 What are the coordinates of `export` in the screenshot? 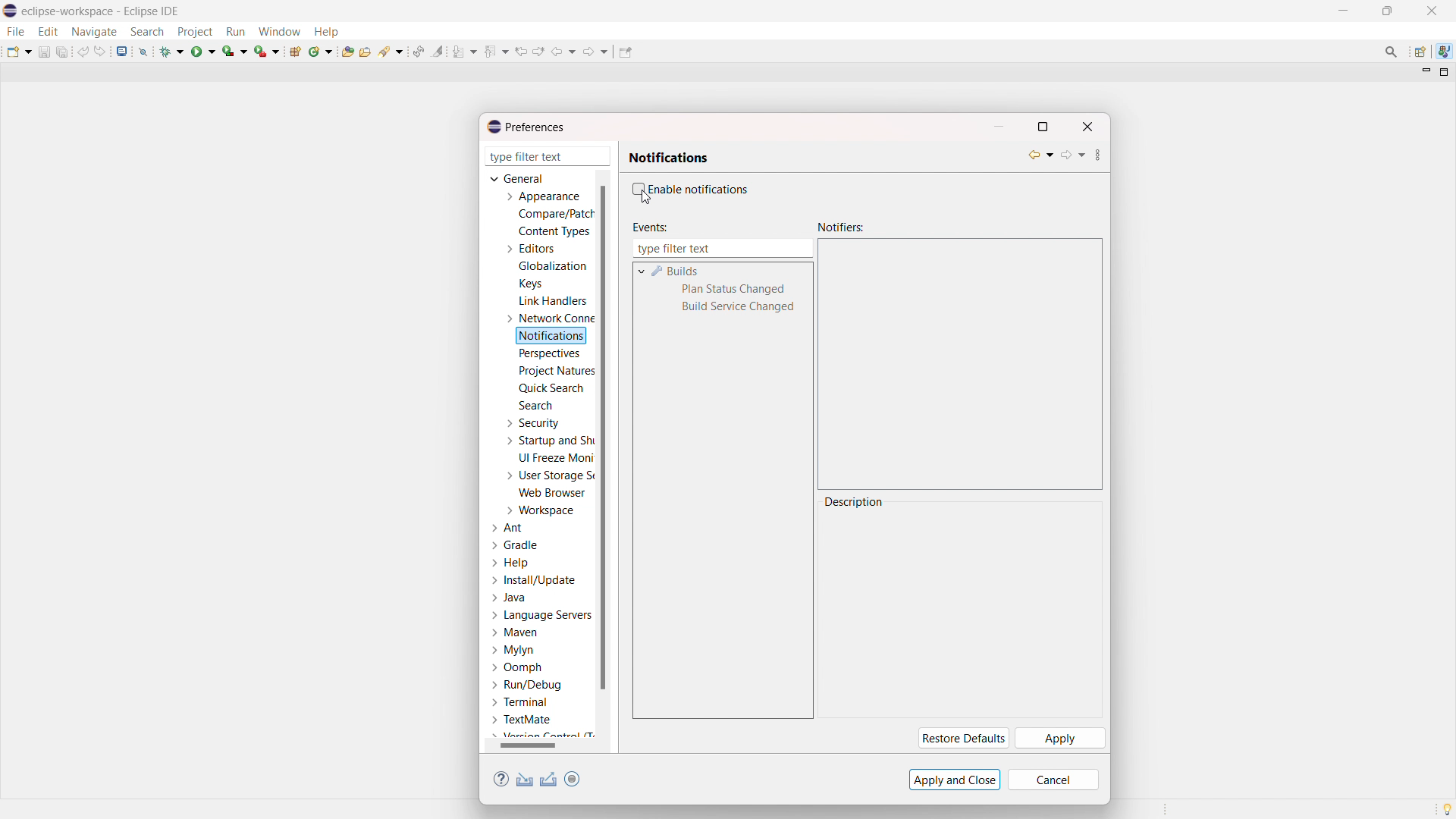 It's located at (549, 780).